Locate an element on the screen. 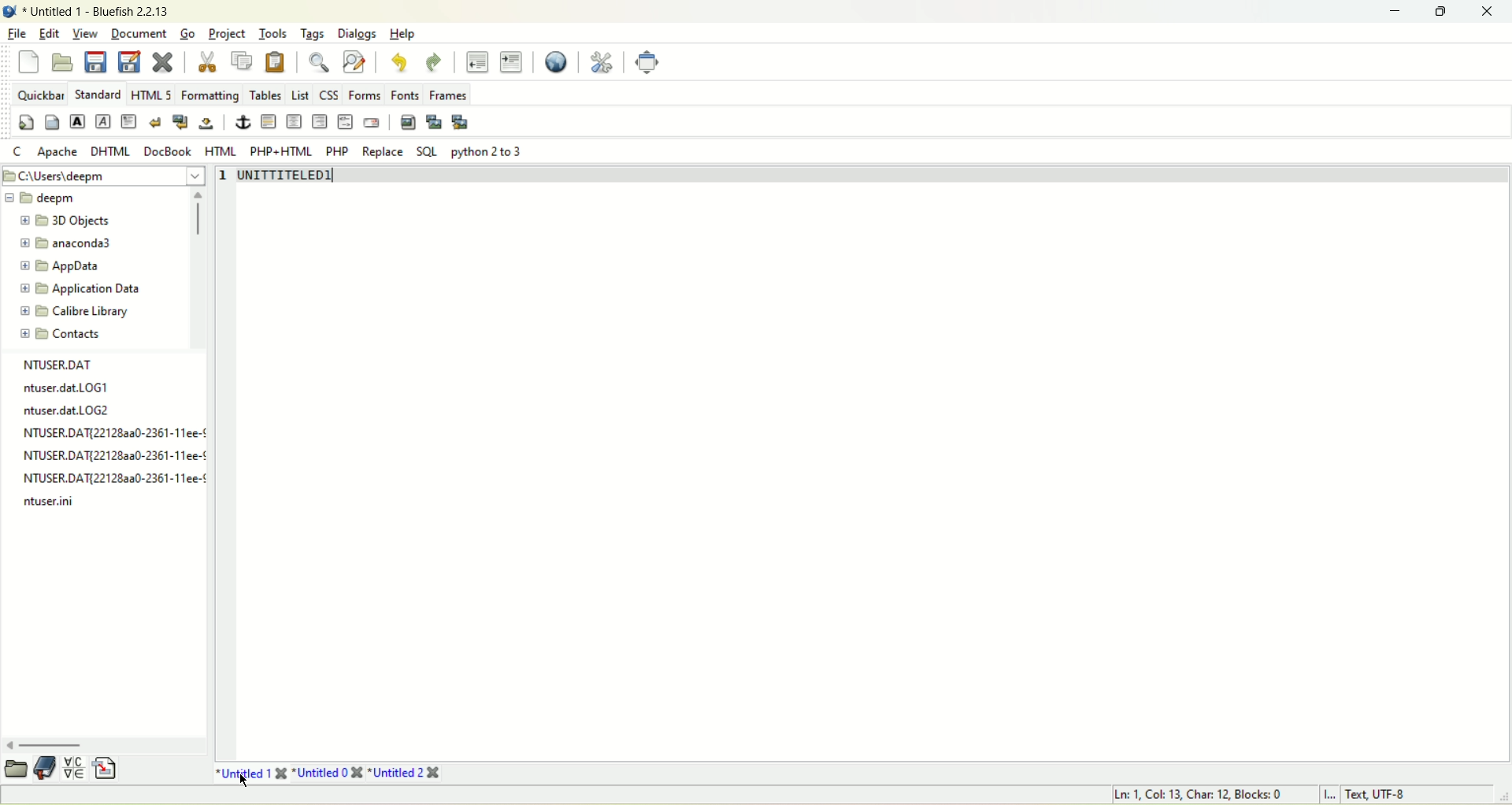  paste is located at coordinates (276, 62).